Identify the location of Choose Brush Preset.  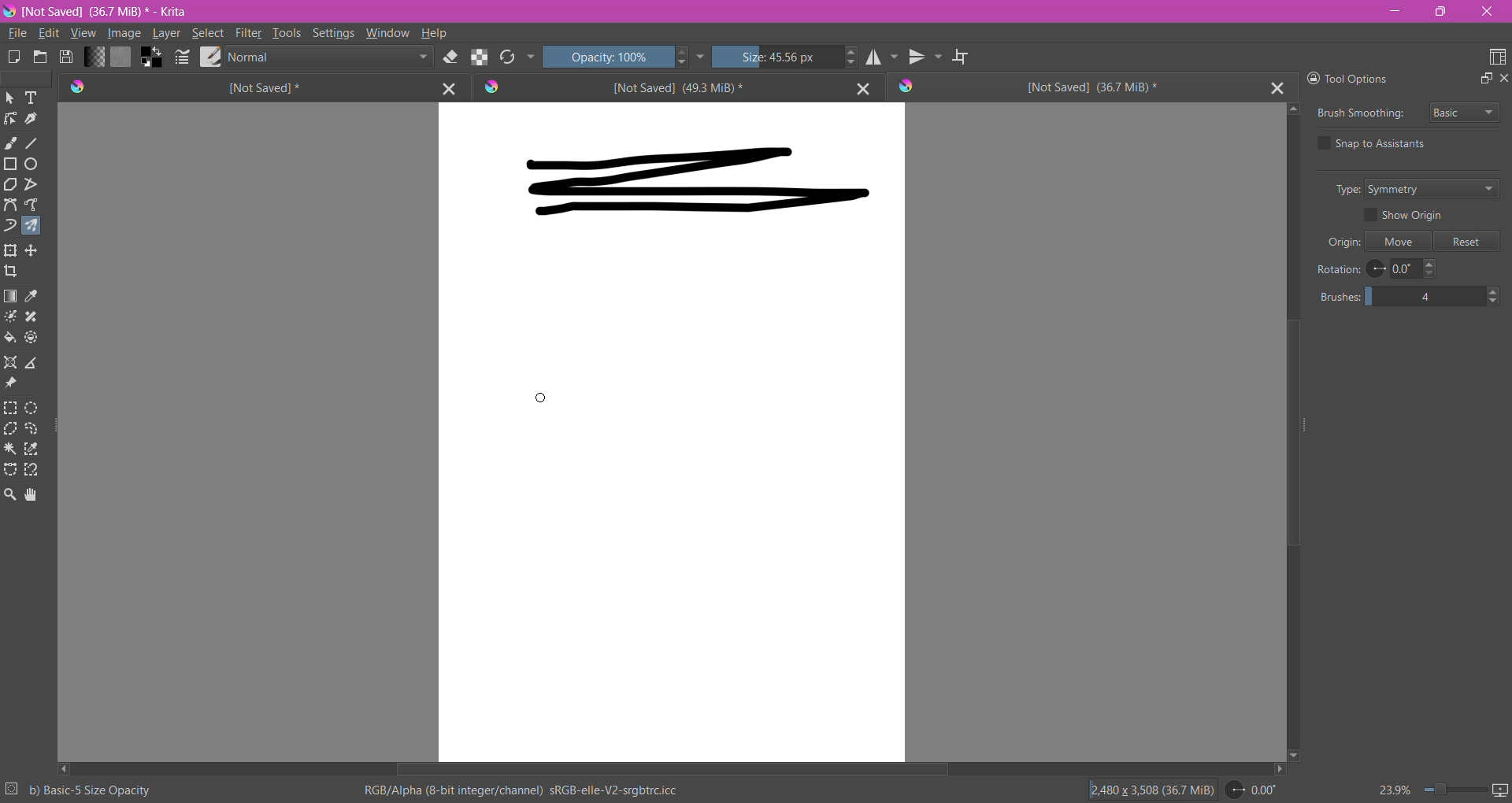
(209, 57).